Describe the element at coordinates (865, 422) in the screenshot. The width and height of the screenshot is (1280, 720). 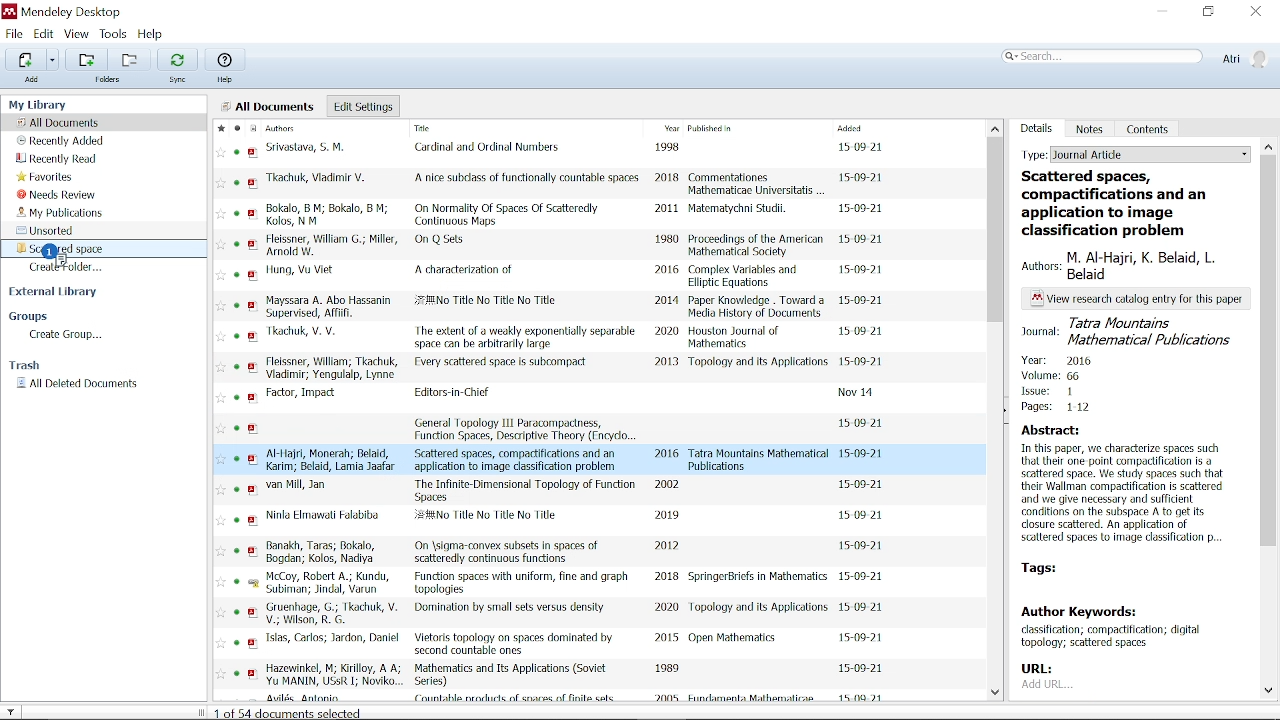
I see `date` at that location.